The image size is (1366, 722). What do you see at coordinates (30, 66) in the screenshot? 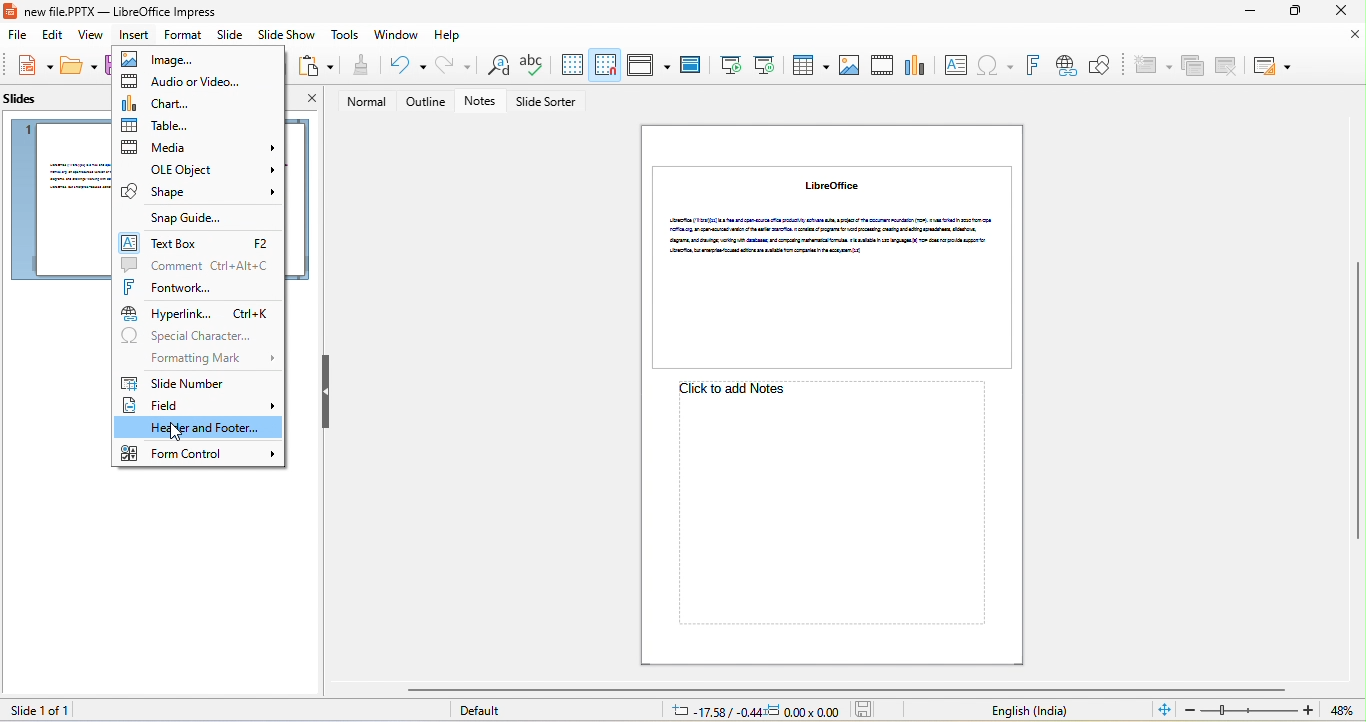
I see `new` at bounding box center [30, 66].